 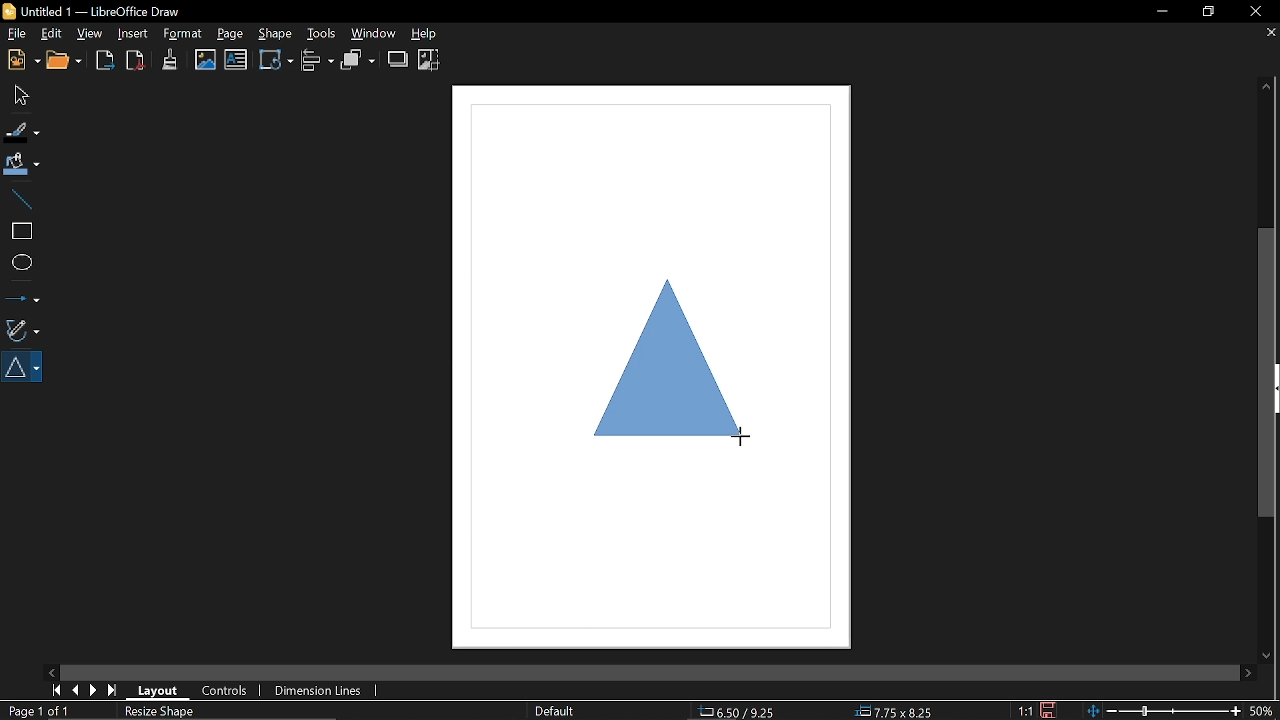 I want to click on dimension lines, so click(x=316, y=692).